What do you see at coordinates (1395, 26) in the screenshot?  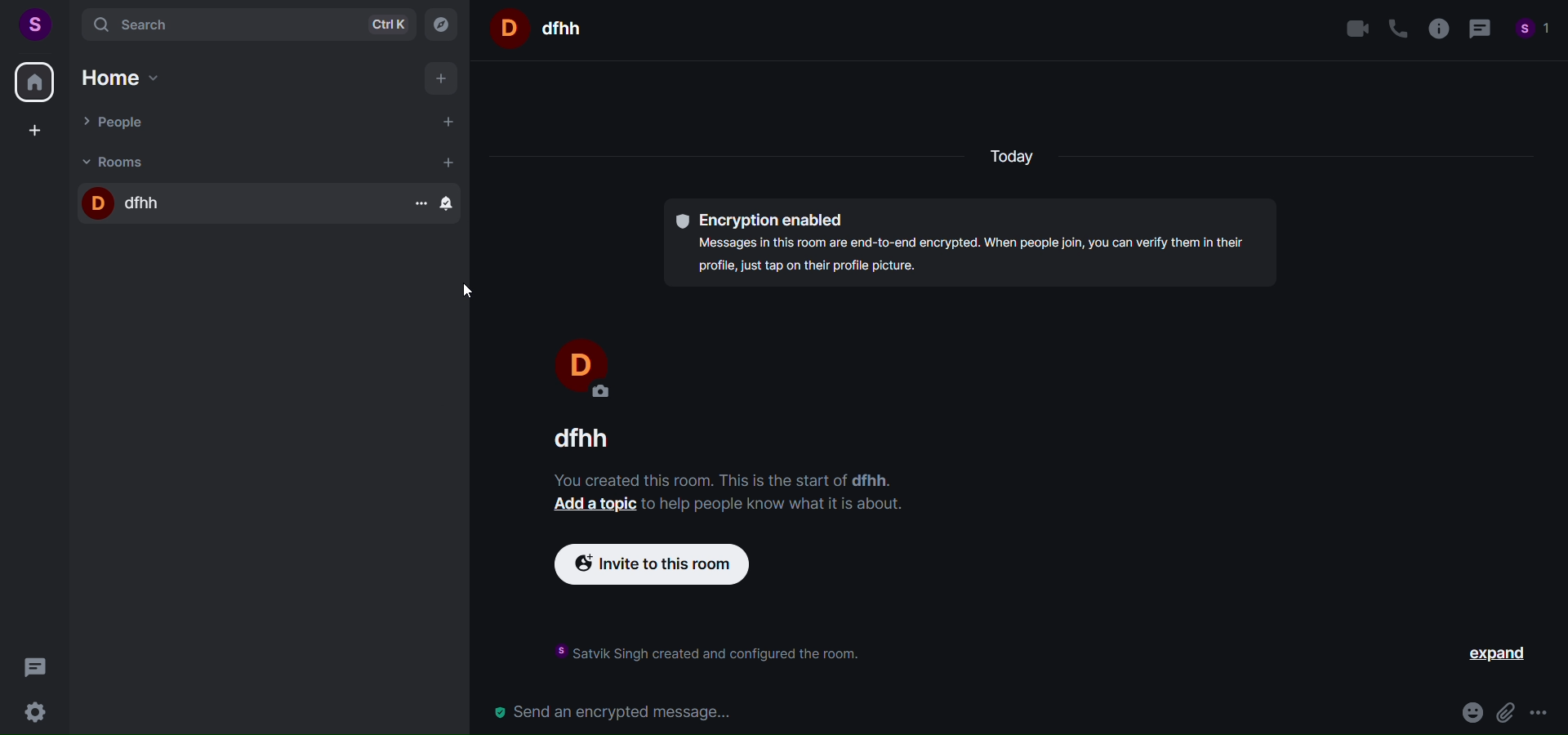 I see `call` at bounding box center [1395, 26].